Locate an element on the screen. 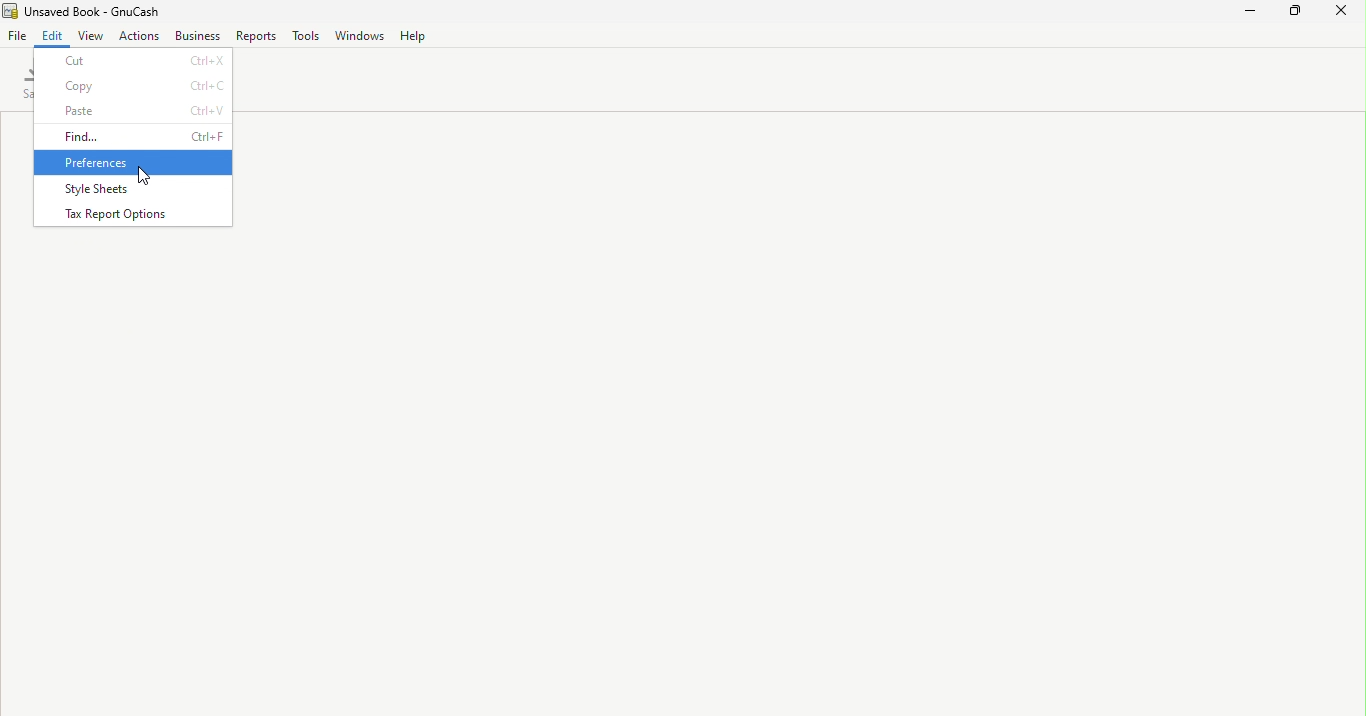 The image size is (1366, 716). Tools is located at coordinates (305, 35).